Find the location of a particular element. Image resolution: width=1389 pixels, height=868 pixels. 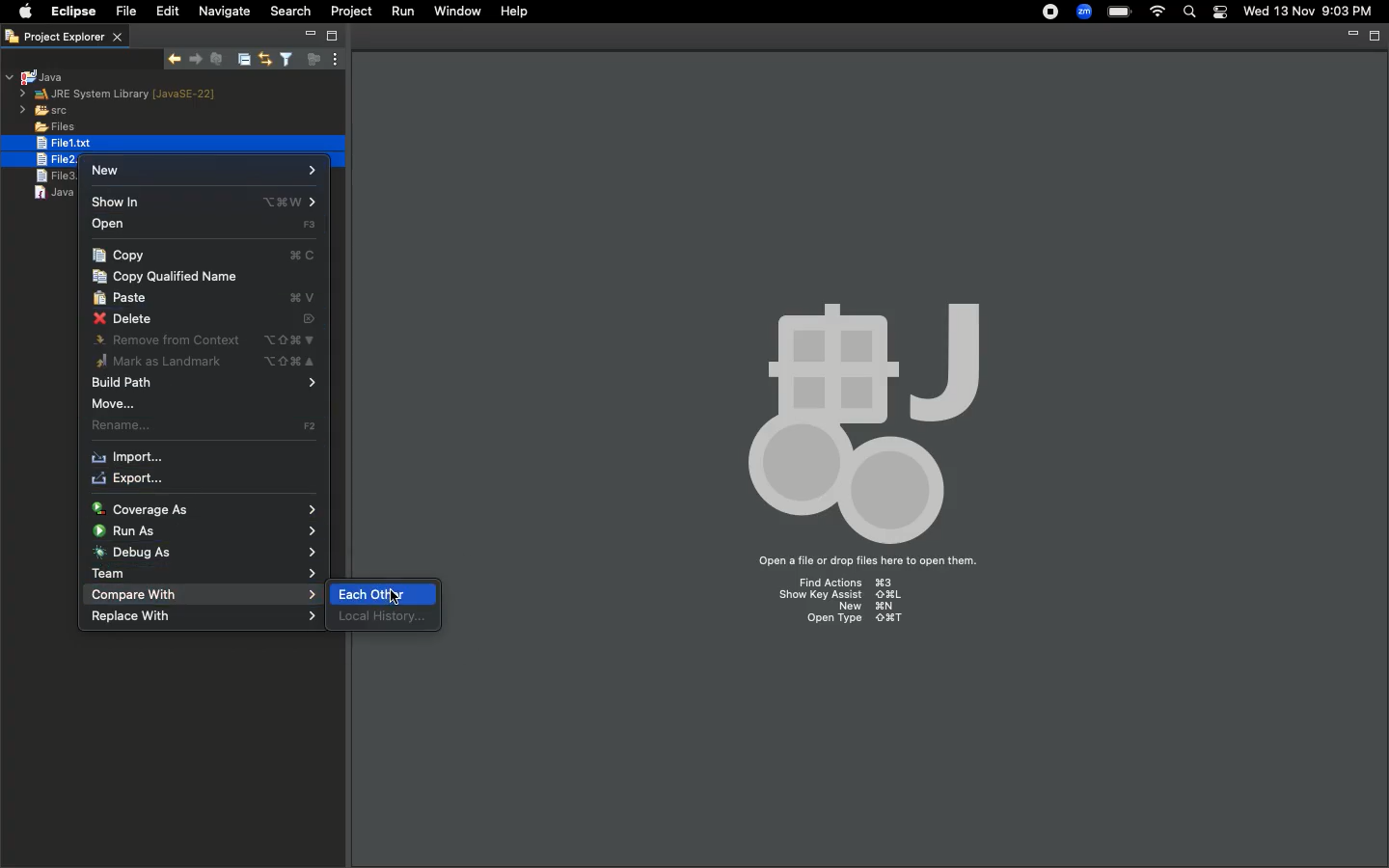

New is located at coordinates (207, 170).